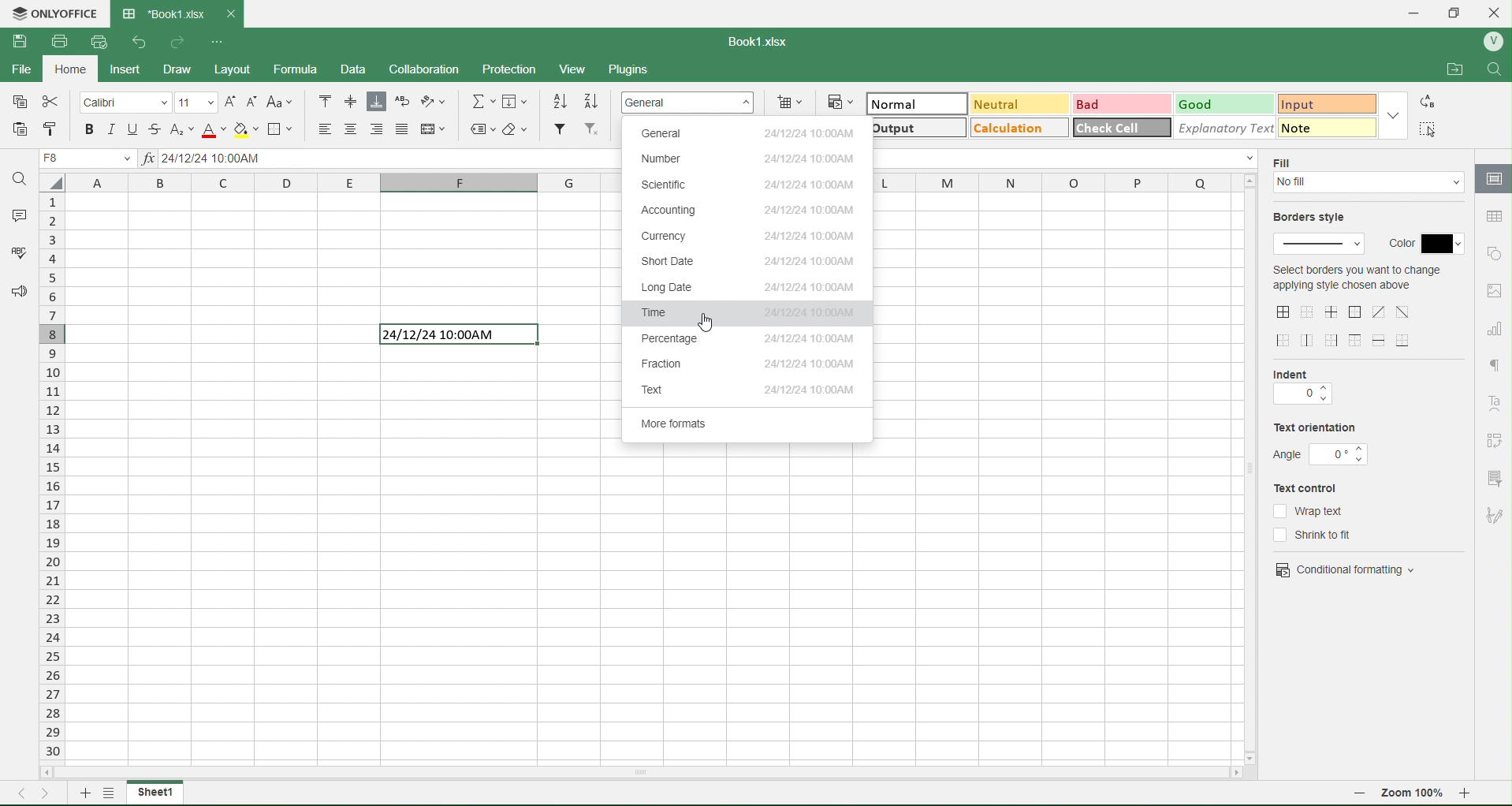  I want to click on Collaboration, so click(434, 69).